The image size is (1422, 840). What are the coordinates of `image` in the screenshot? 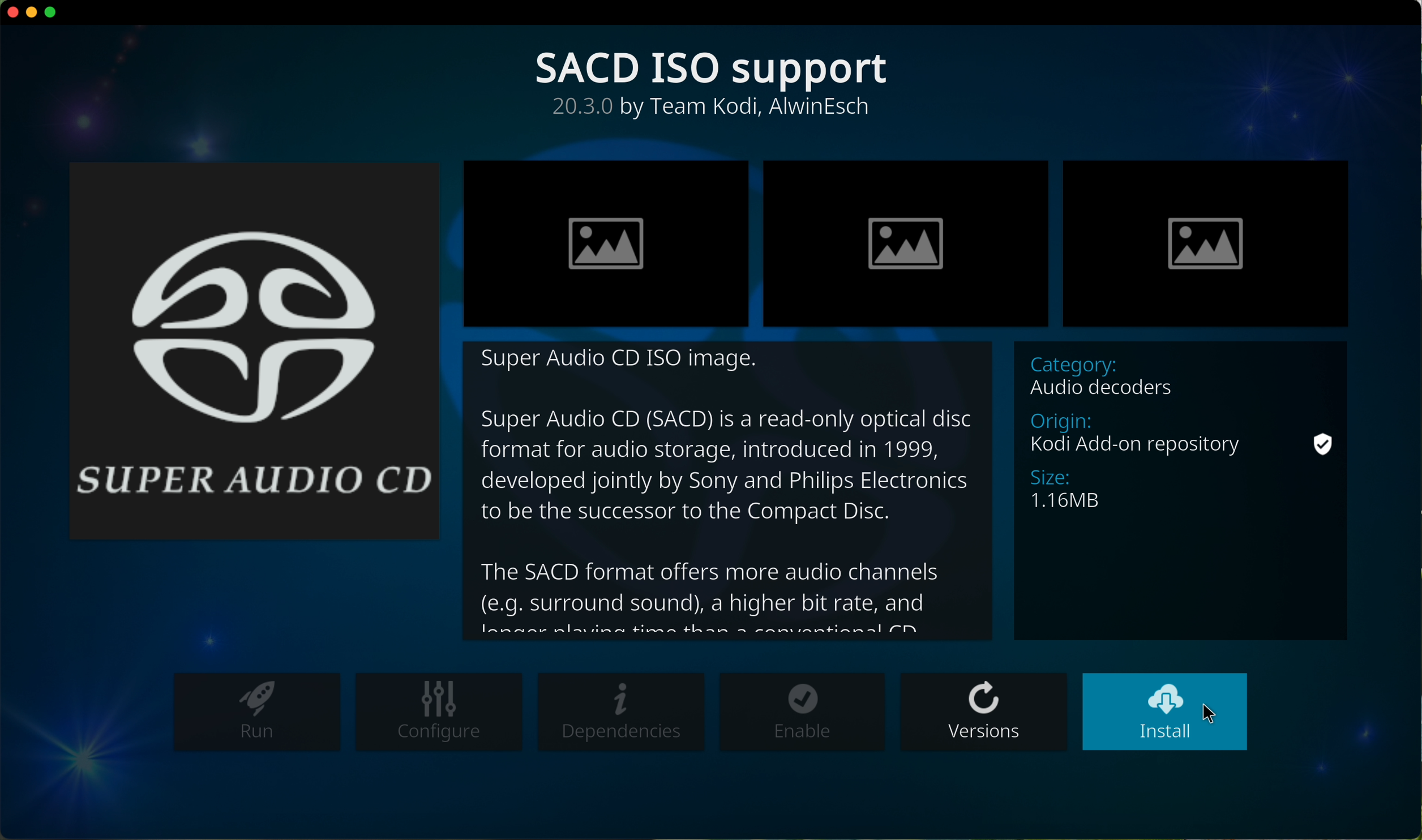 It's located at (607, 242).